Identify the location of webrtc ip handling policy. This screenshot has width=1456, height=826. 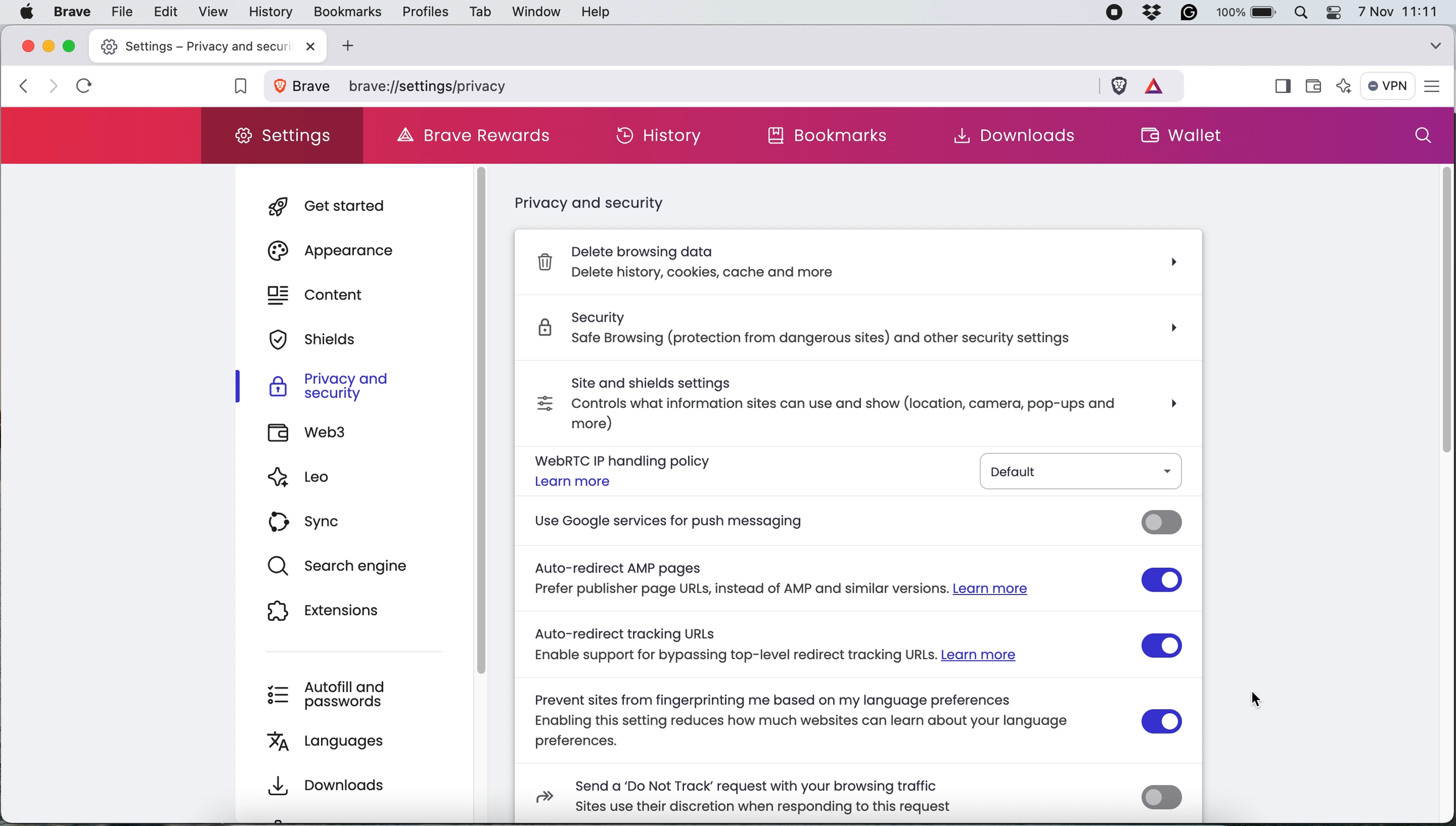
(642, 460).